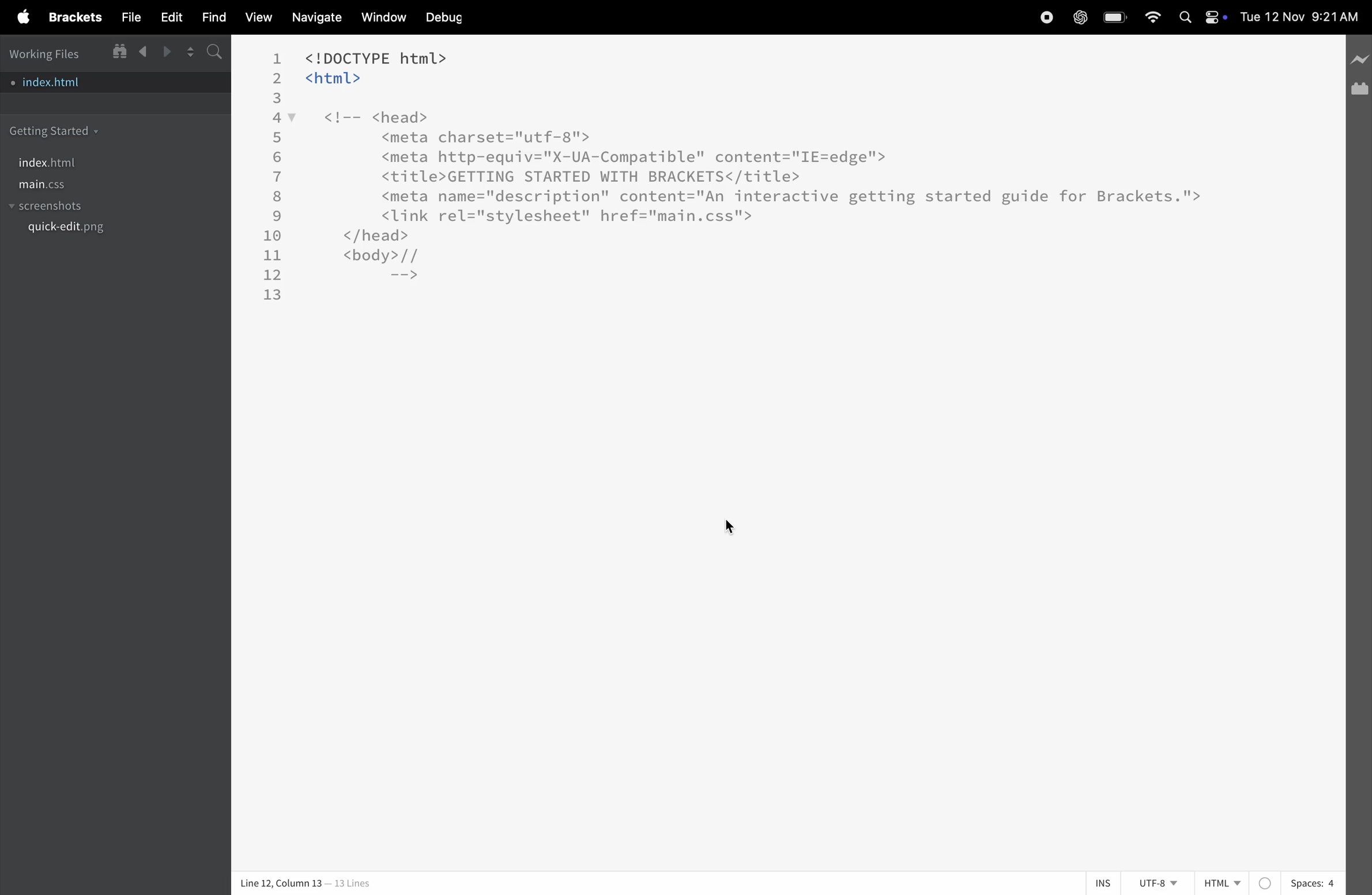 The width and height of the screenshot is (1372, 895). What do you see at coordinates (144, 52) in the screenshot?
I see `backward` at bounding box center [144, 52].